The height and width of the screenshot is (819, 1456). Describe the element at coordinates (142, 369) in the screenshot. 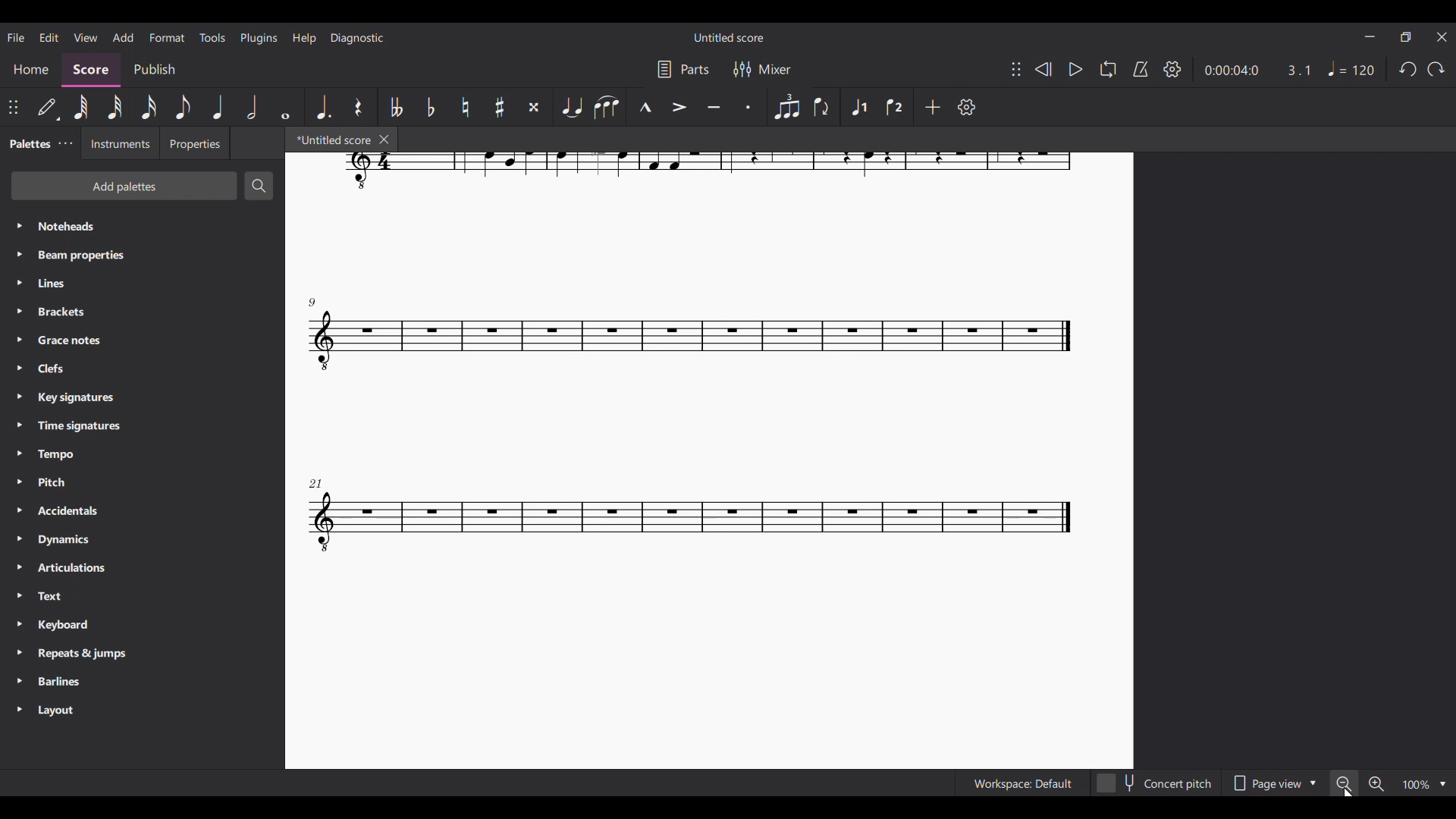

I see `Clefs` at that location.